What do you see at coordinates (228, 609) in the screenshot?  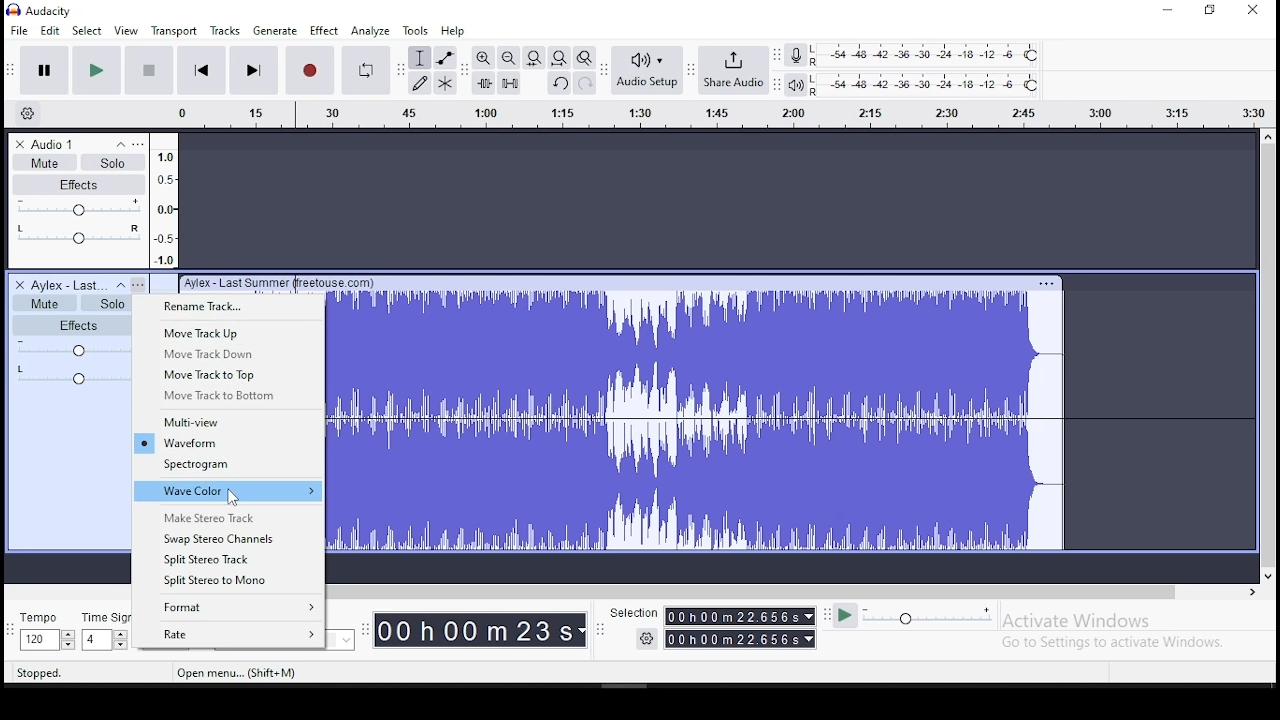 I see `format` at bounding box center [228, 609].